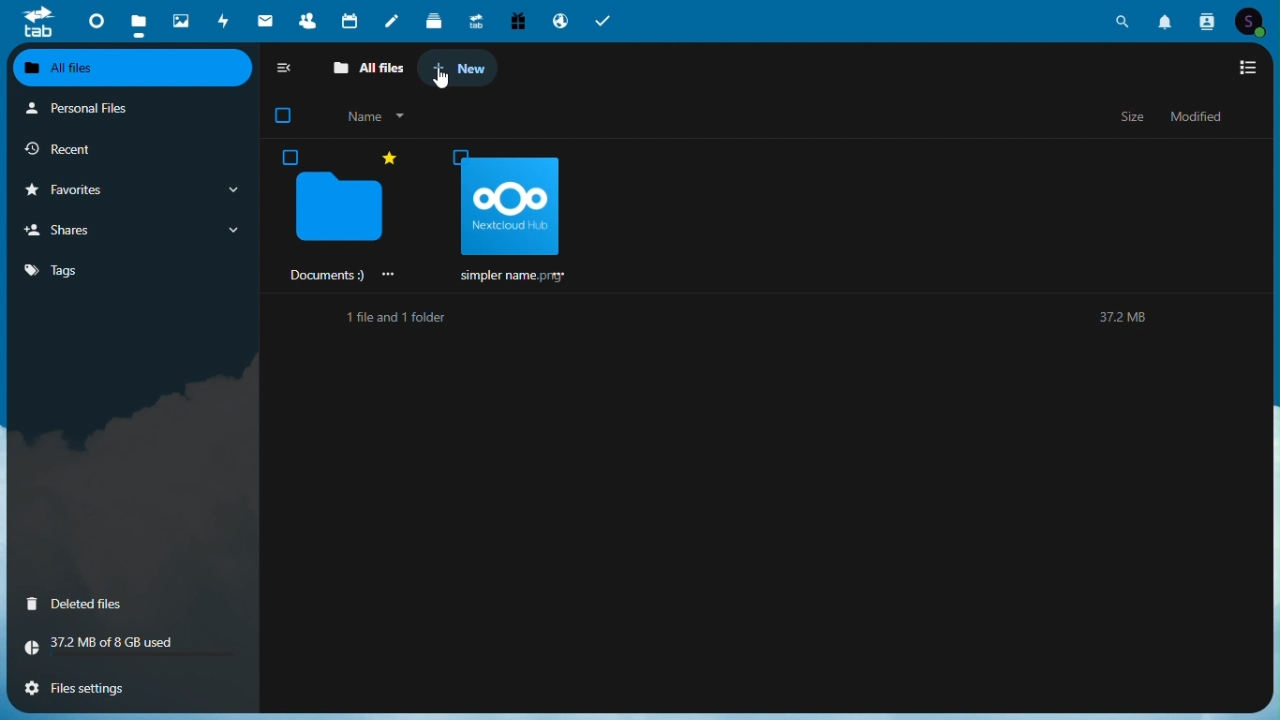  I want to click on Search, so click(1126, 18).